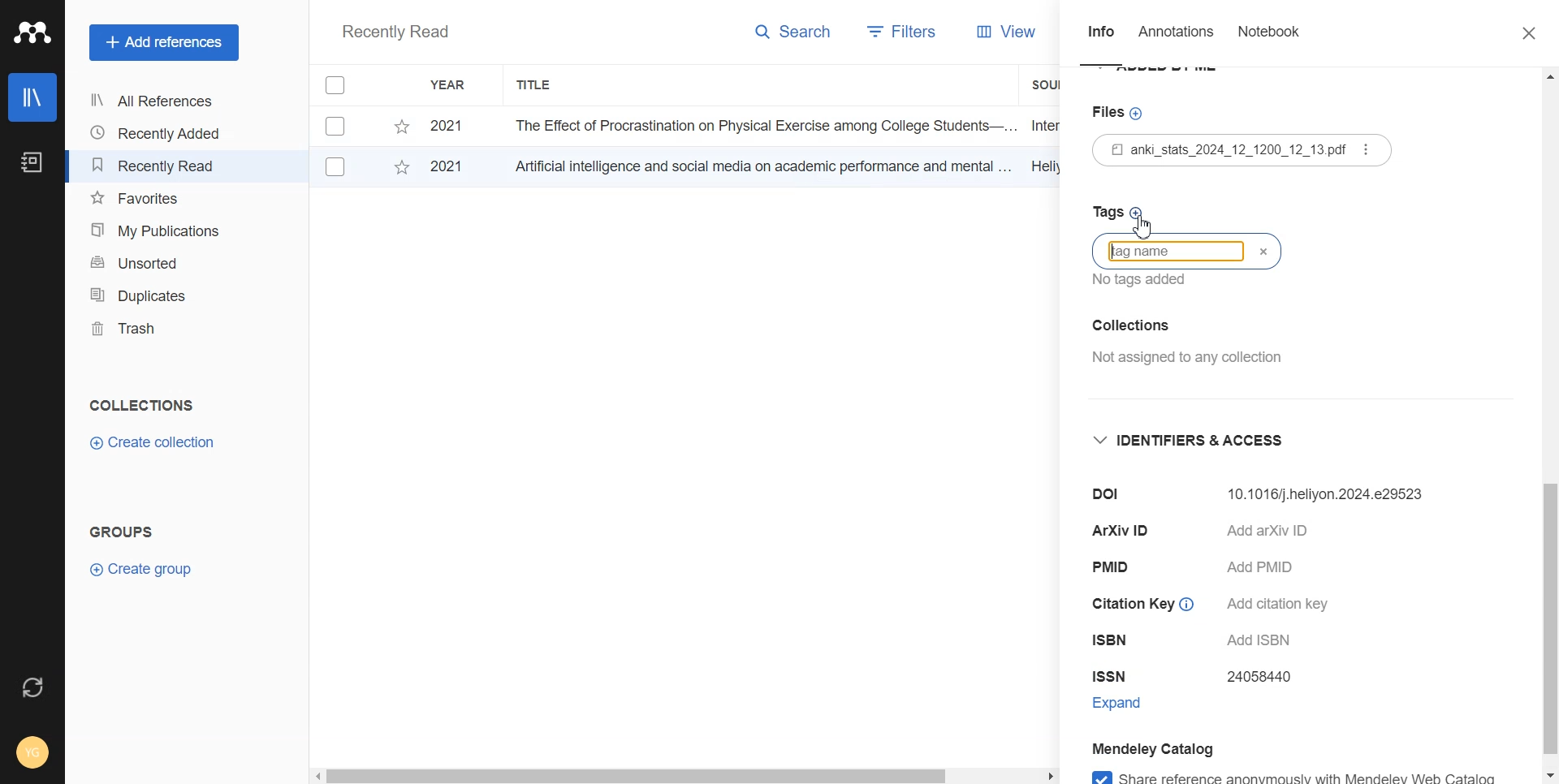  I want to click on 2021, so click(451, 127).